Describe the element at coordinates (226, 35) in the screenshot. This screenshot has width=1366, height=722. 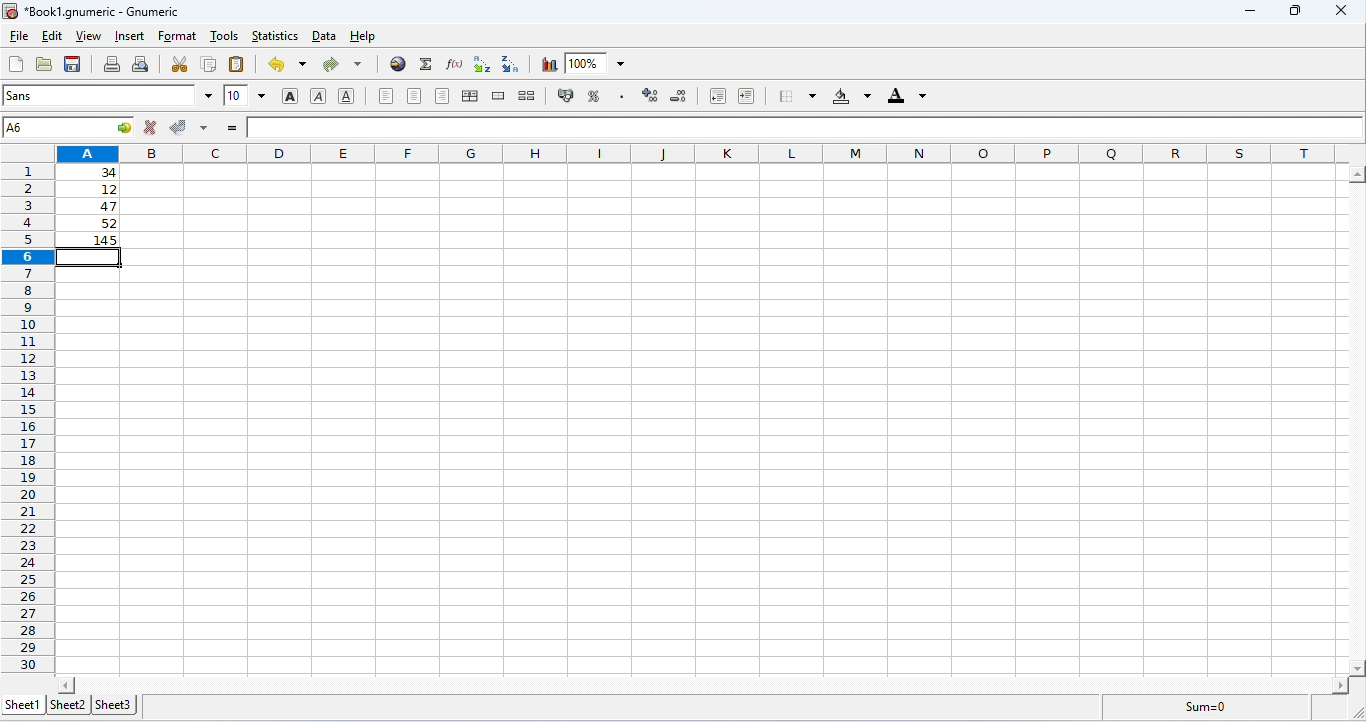
I see `tools` at that location.